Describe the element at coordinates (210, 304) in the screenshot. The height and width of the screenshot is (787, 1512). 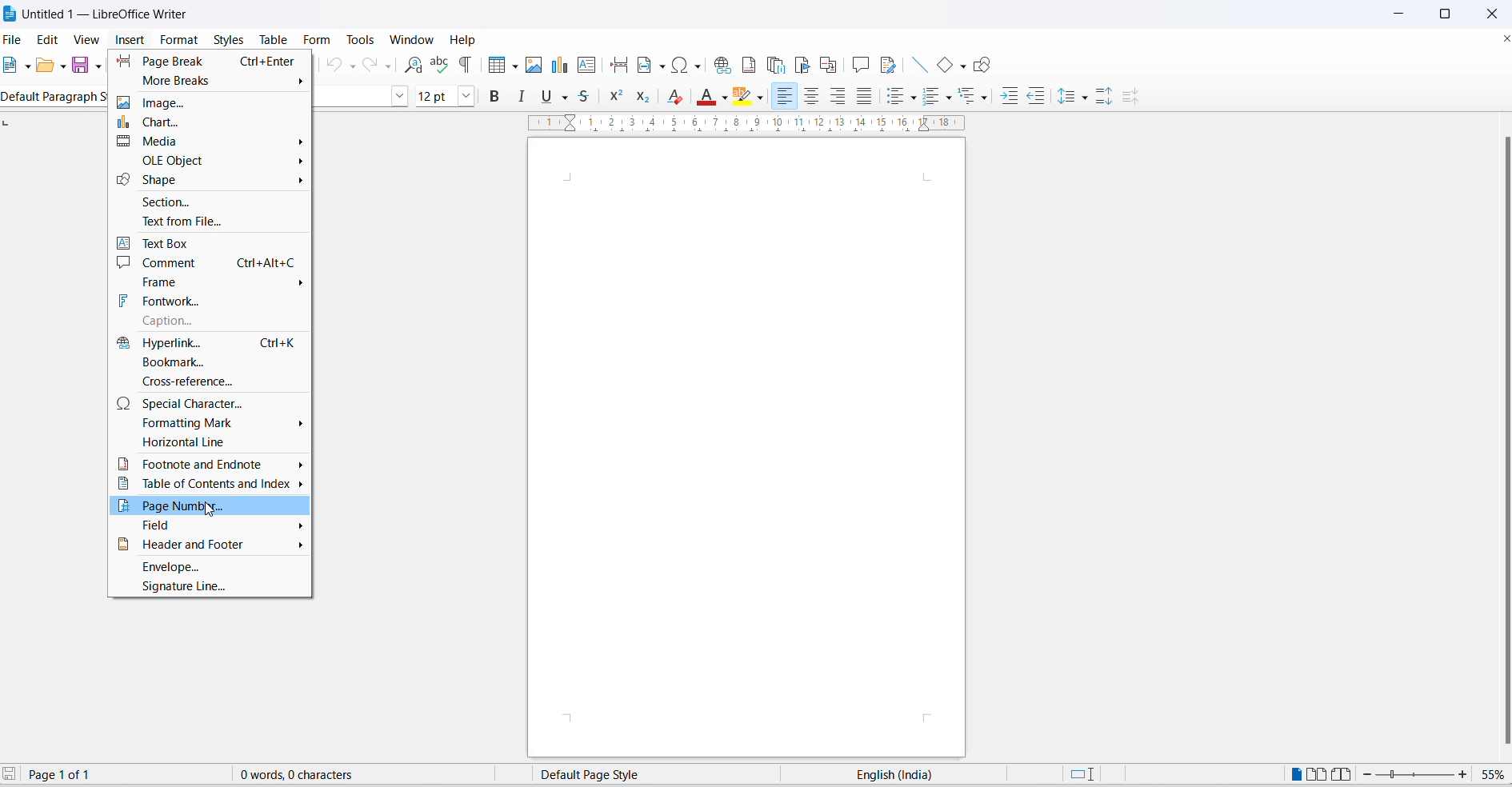
I see `fontwork` at that location.